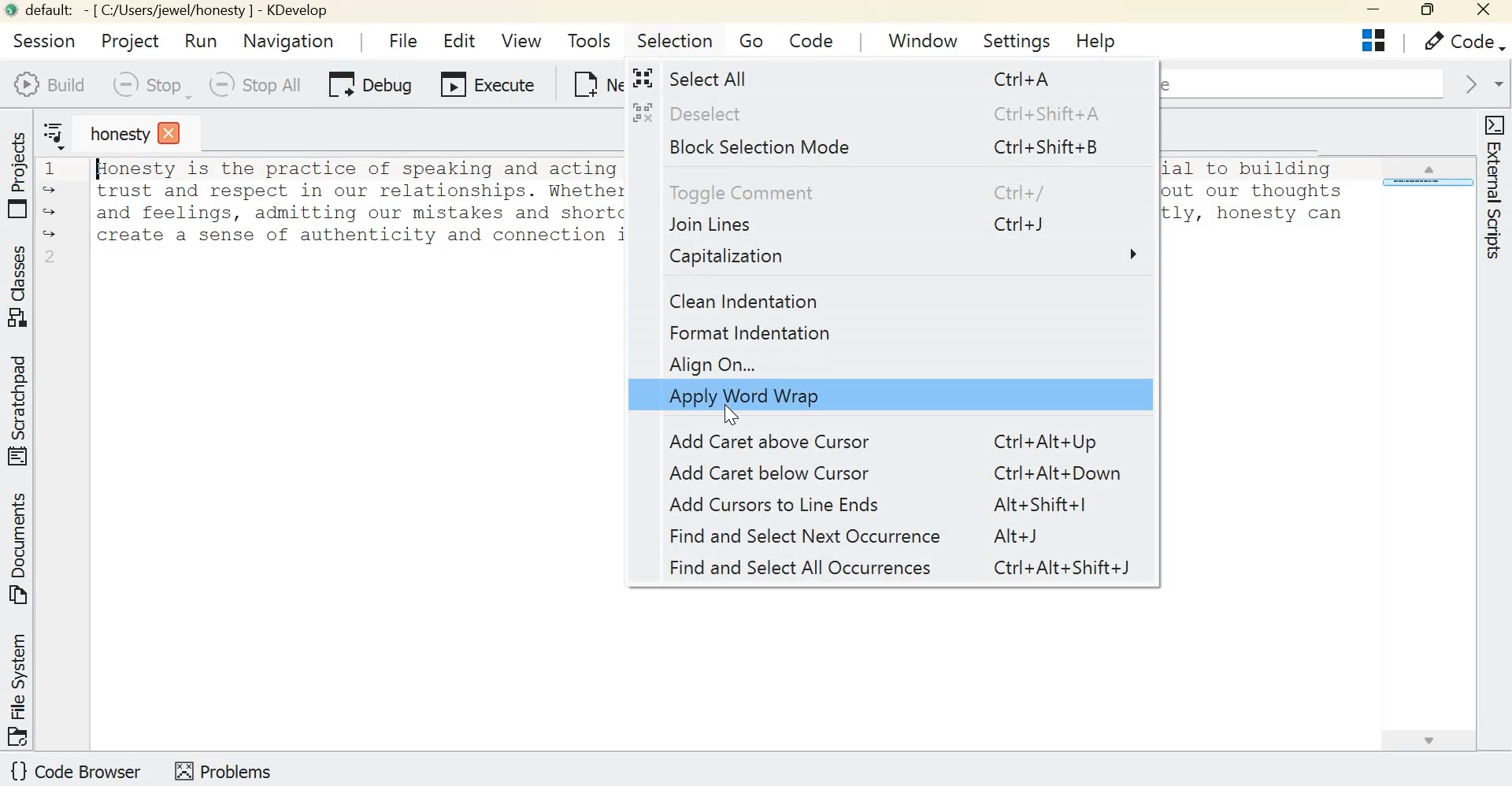 The image size is (1512, 786). Describe the element at coordinates (857, 536) in the screenshot. I see `Find and select next occurrence` at that location.